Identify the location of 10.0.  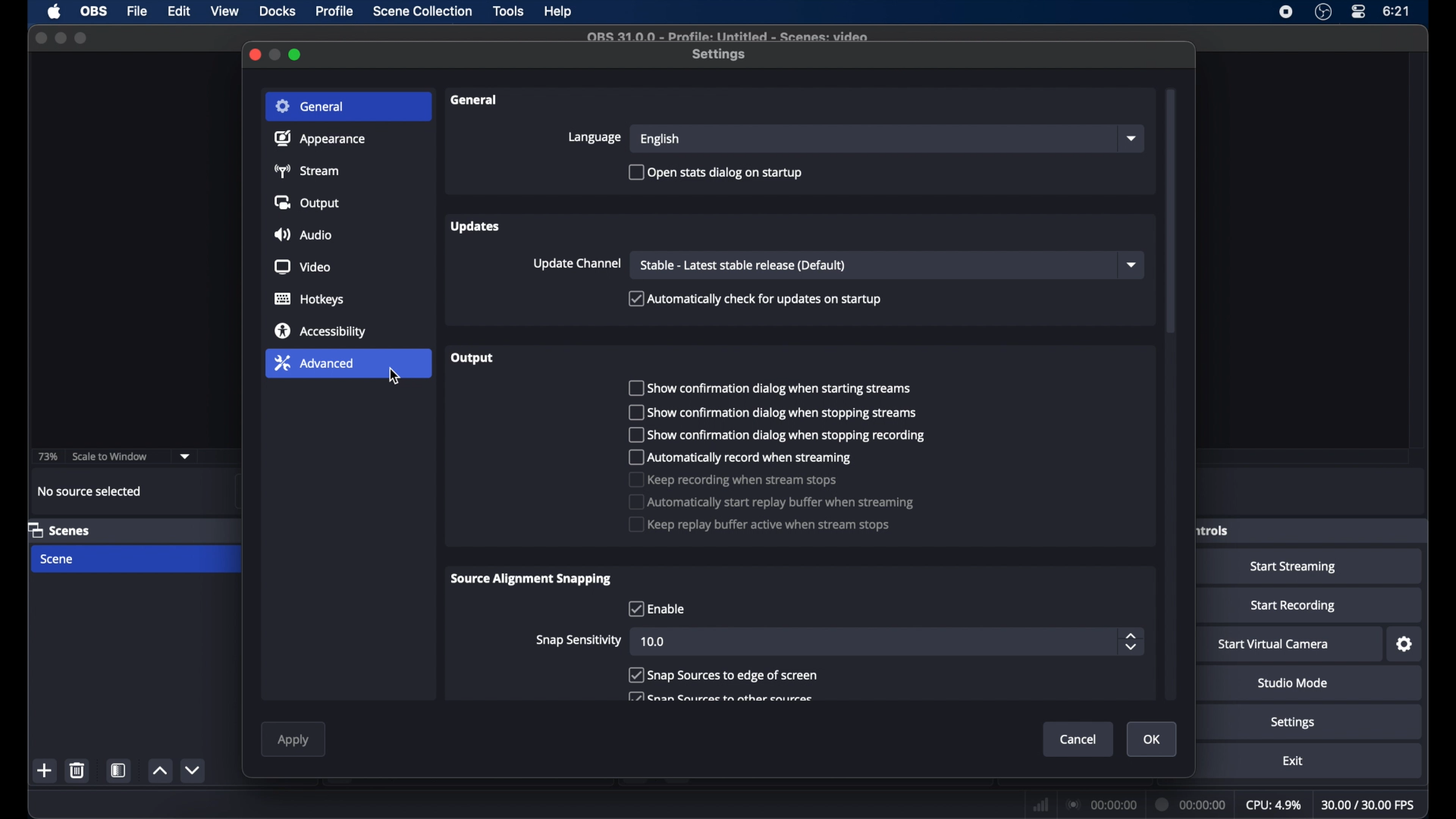
(654, 642).